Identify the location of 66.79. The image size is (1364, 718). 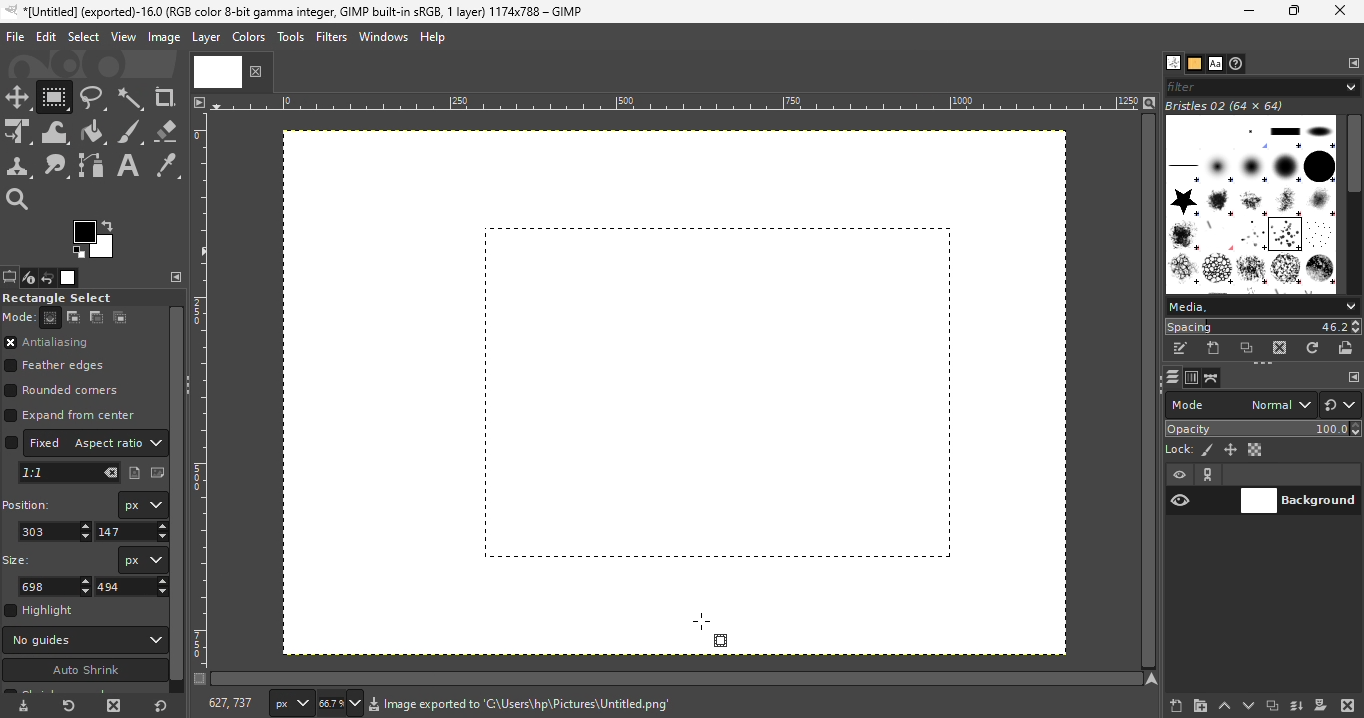
(335, 703).